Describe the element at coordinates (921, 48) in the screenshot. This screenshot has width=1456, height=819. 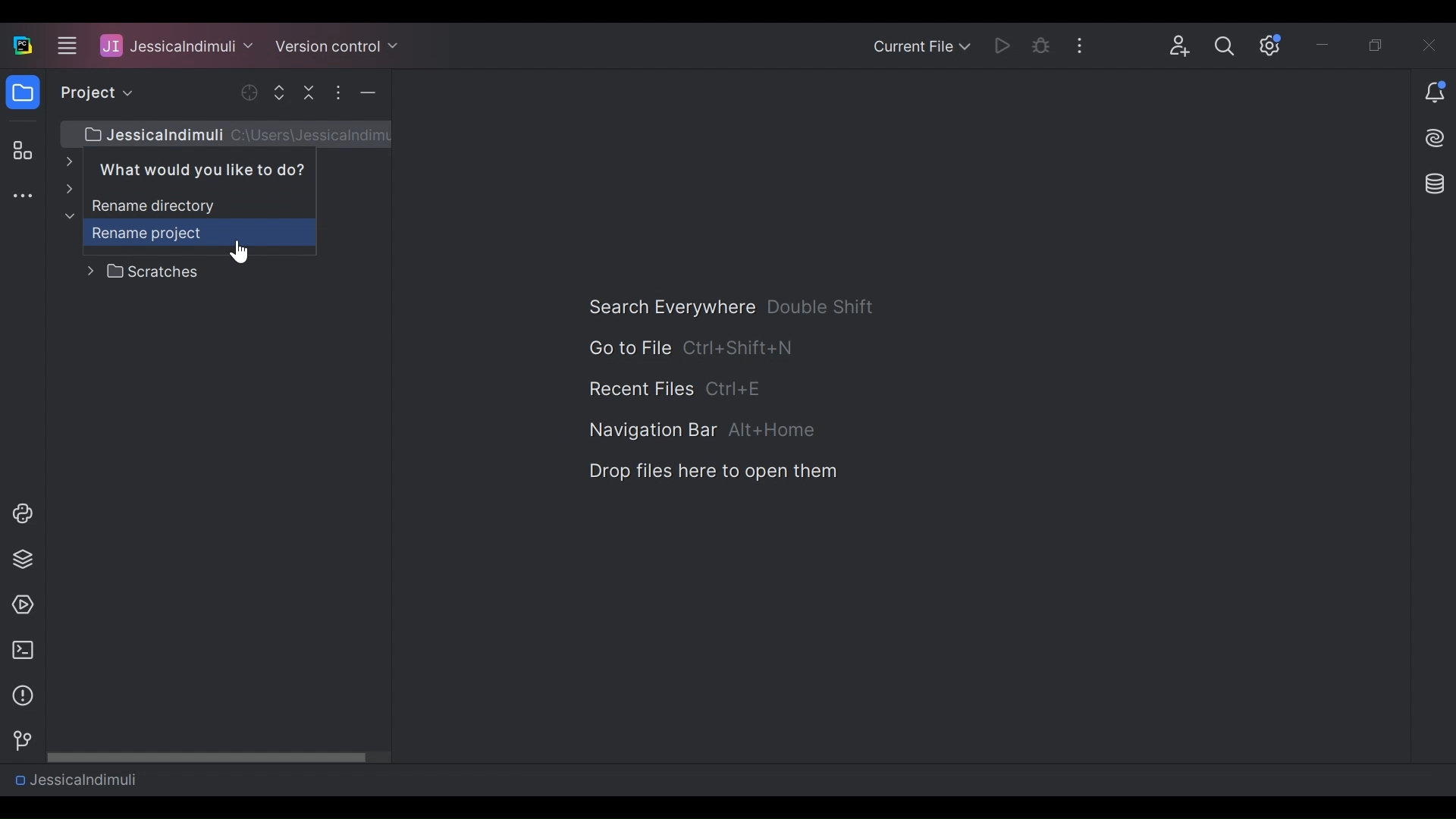
I see `Current File` at that location.